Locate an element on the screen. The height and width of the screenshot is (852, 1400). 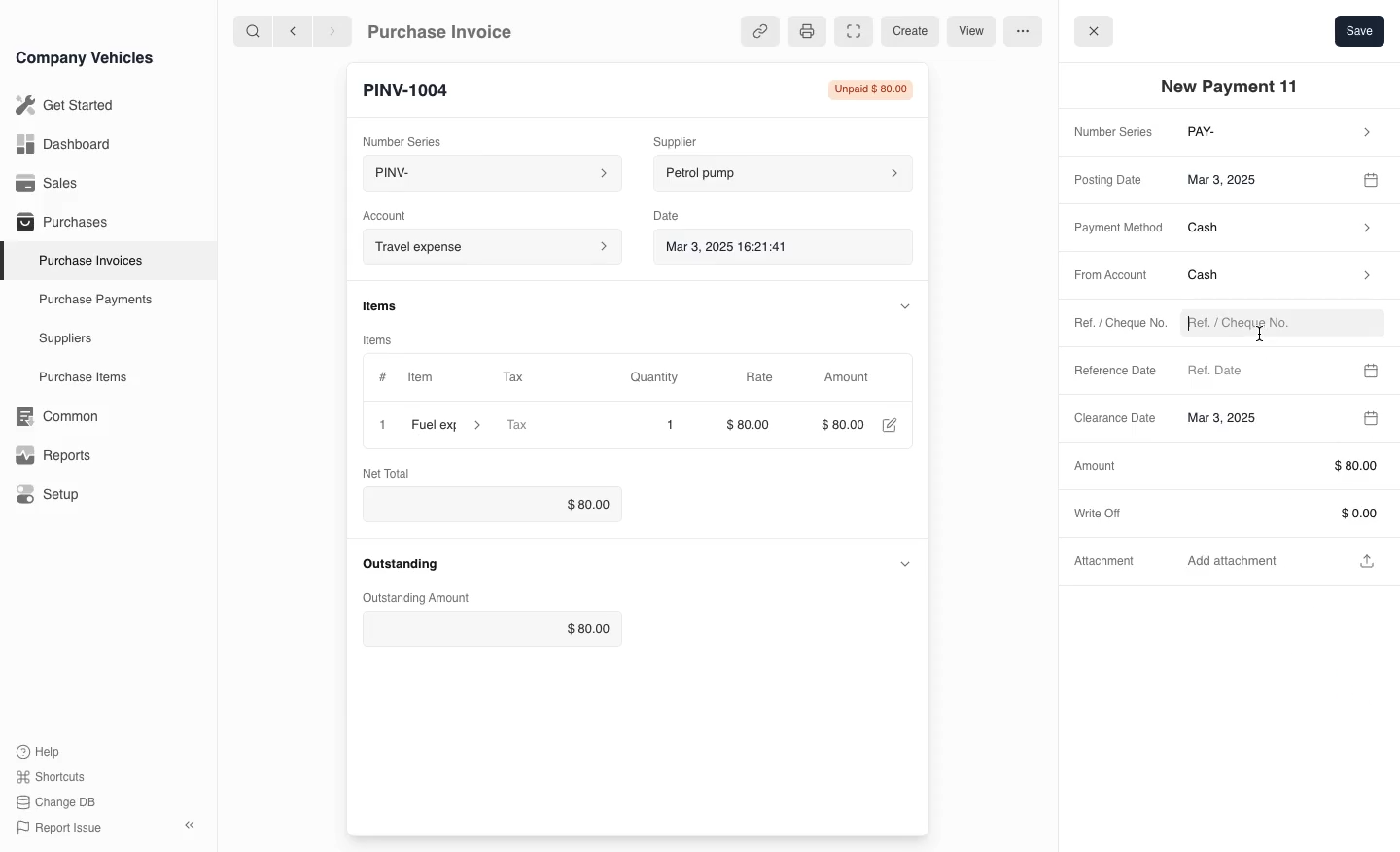
Purchase Payments is located at coordinates (93, 300).